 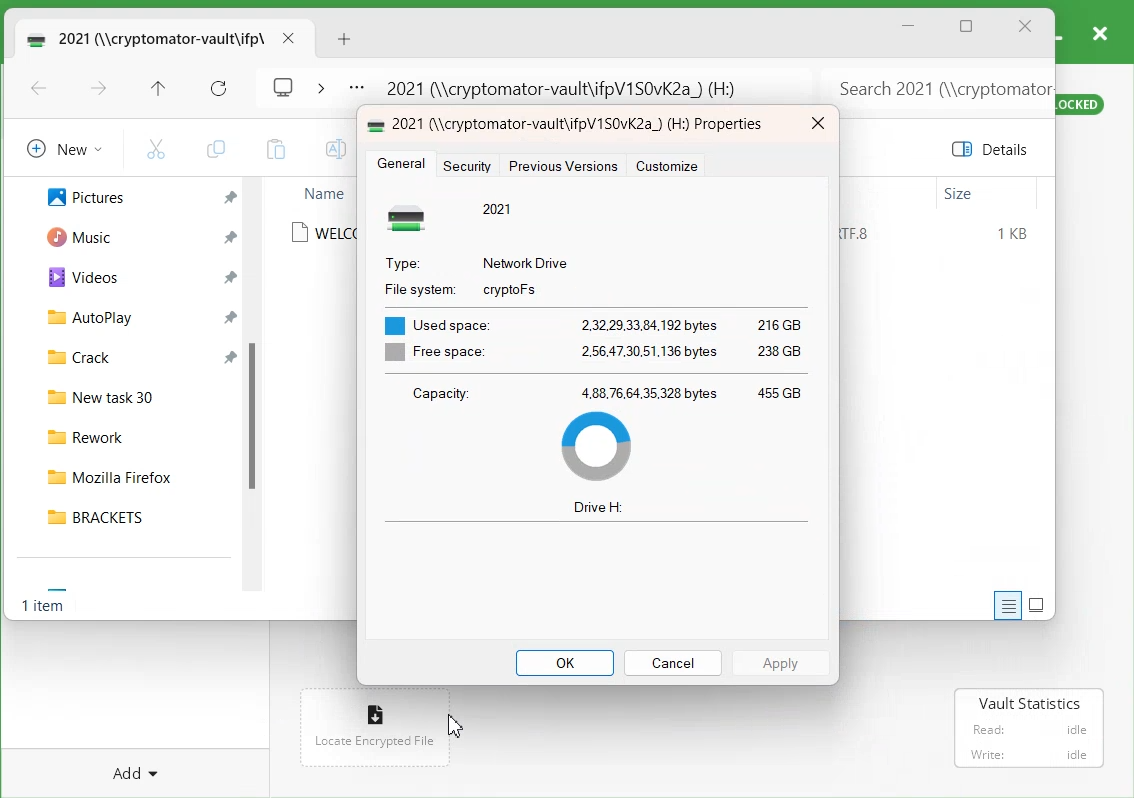 What do you see at coordinates (347, 39) in the screenshot?
I see `Add new Tab` at bounding box center [347, 39].